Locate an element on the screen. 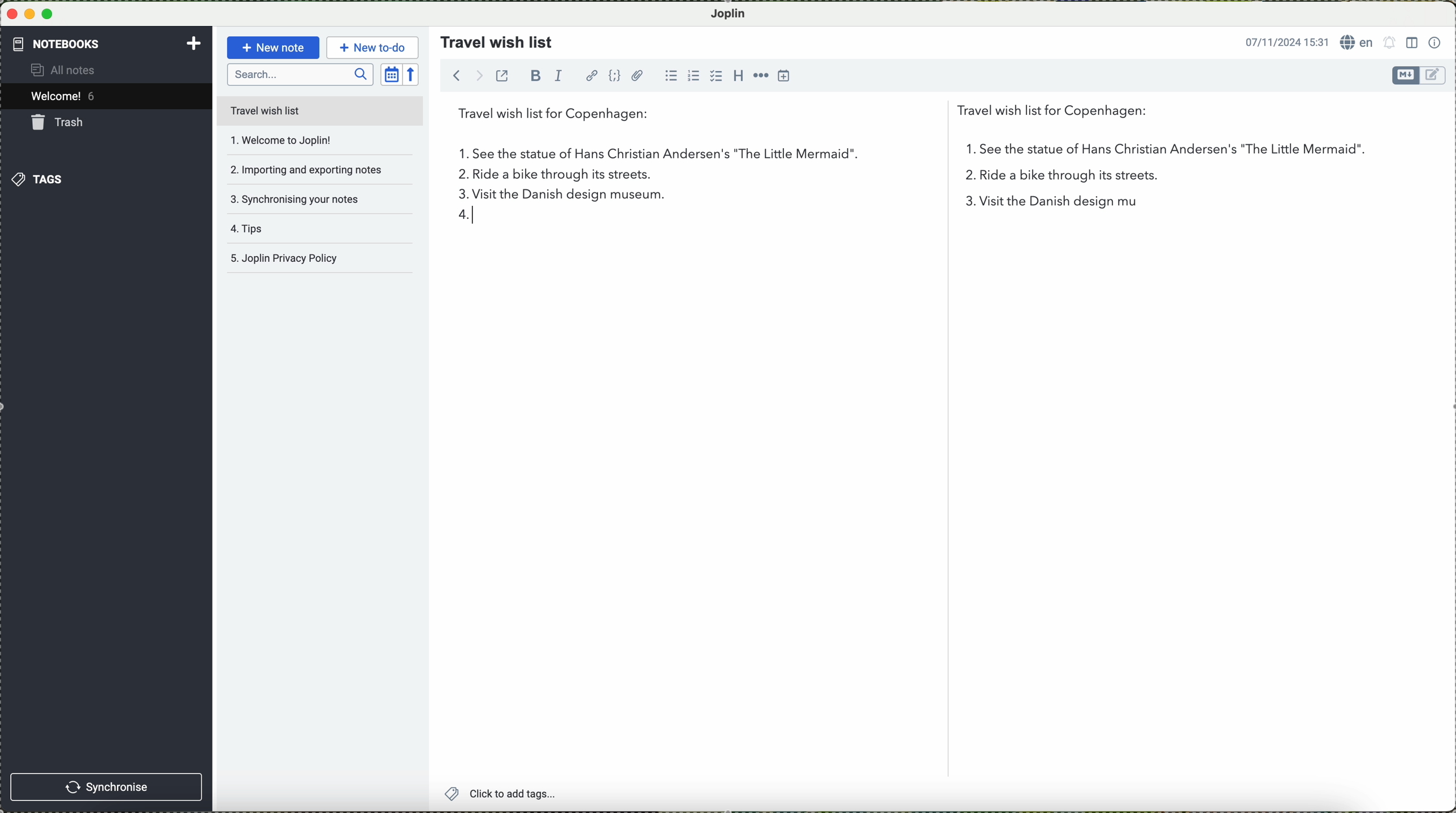 The height and width of the screenshot is (813, 1456). search bar is located at coordinates (300, 75).